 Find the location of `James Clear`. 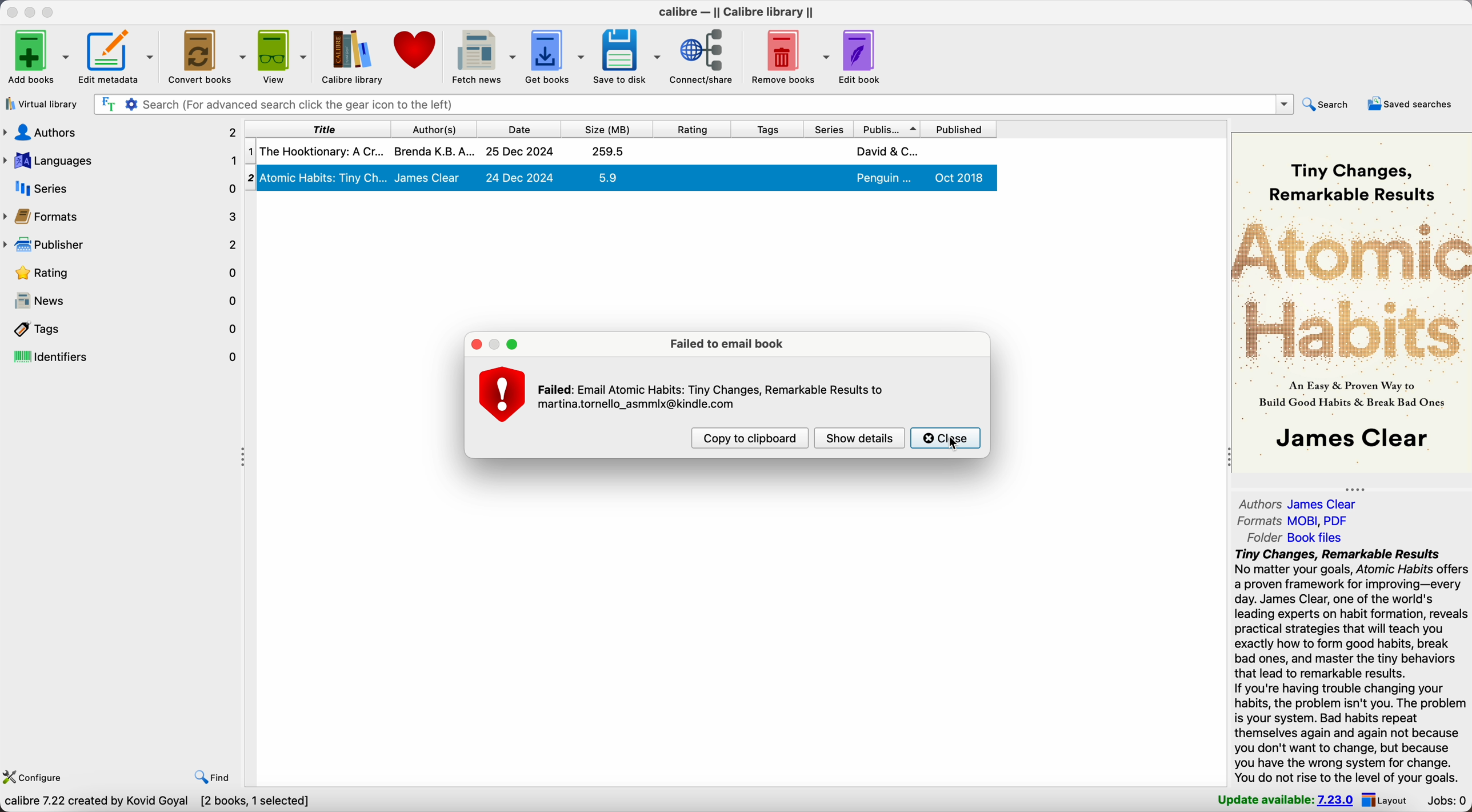

James Clear is located at coordinates (428, 178).